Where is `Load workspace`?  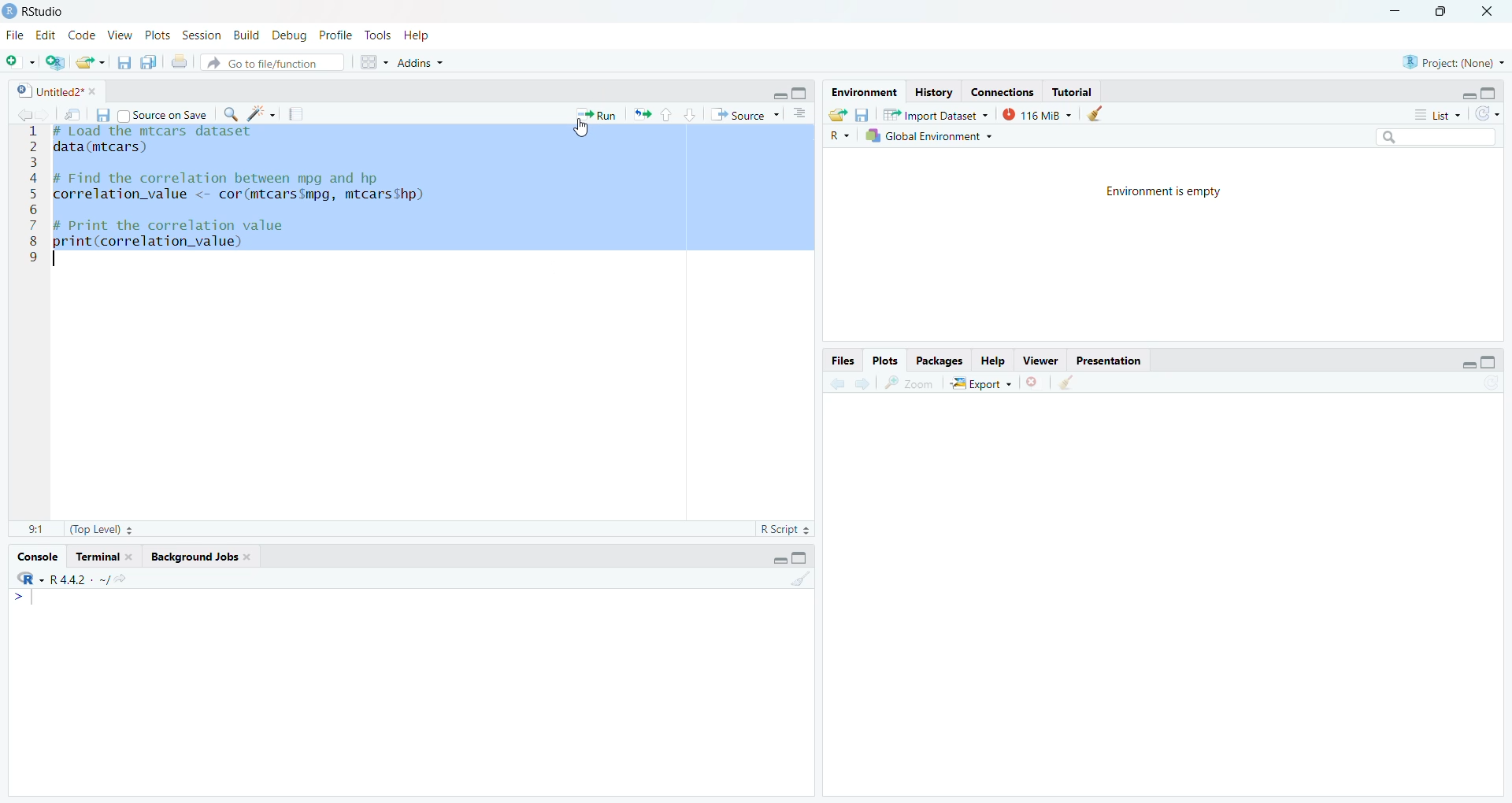 Load workspace is located at coordinates (836, 116).